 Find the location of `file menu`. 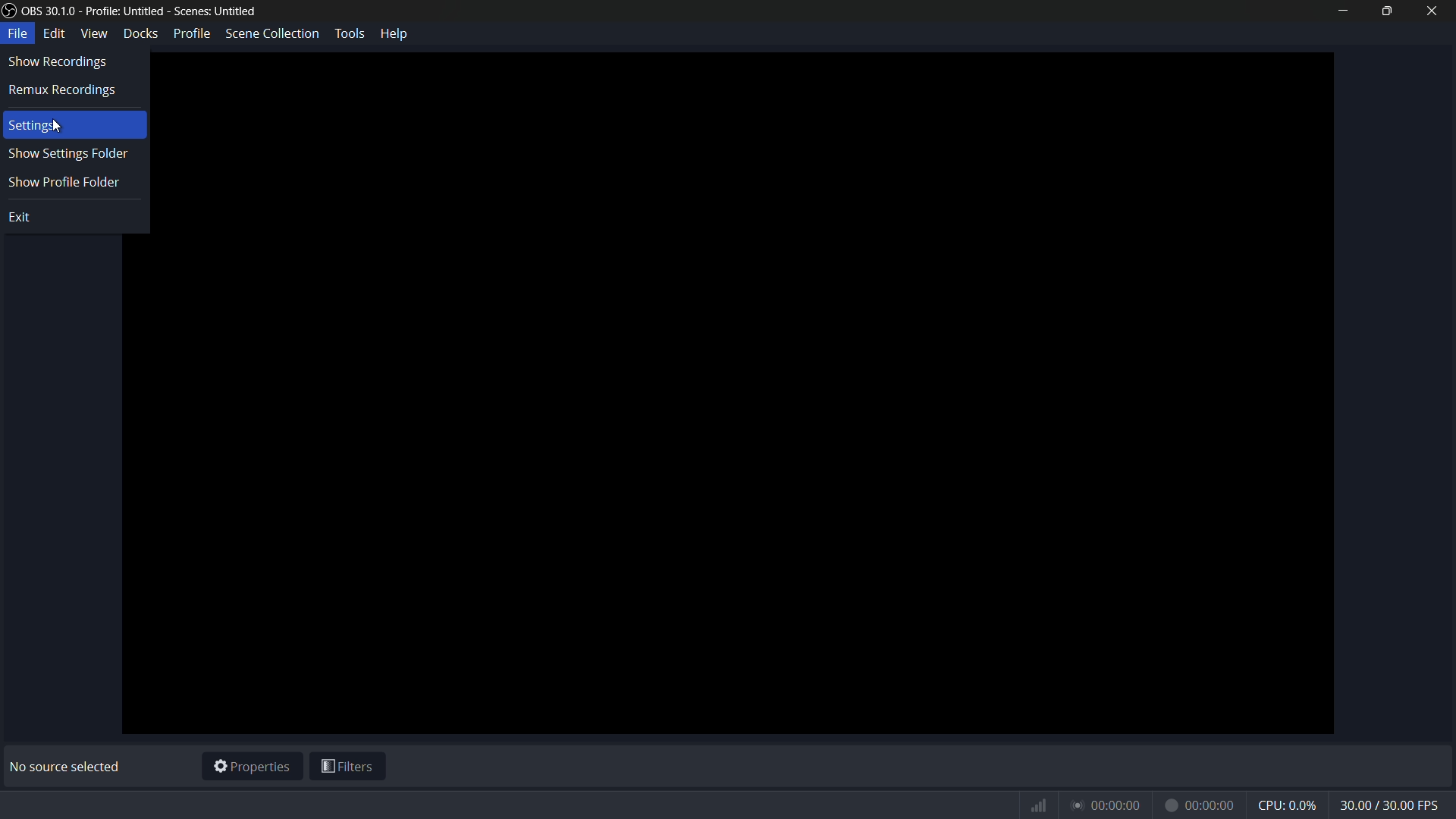

file menu is located at coordinates (18, 34).